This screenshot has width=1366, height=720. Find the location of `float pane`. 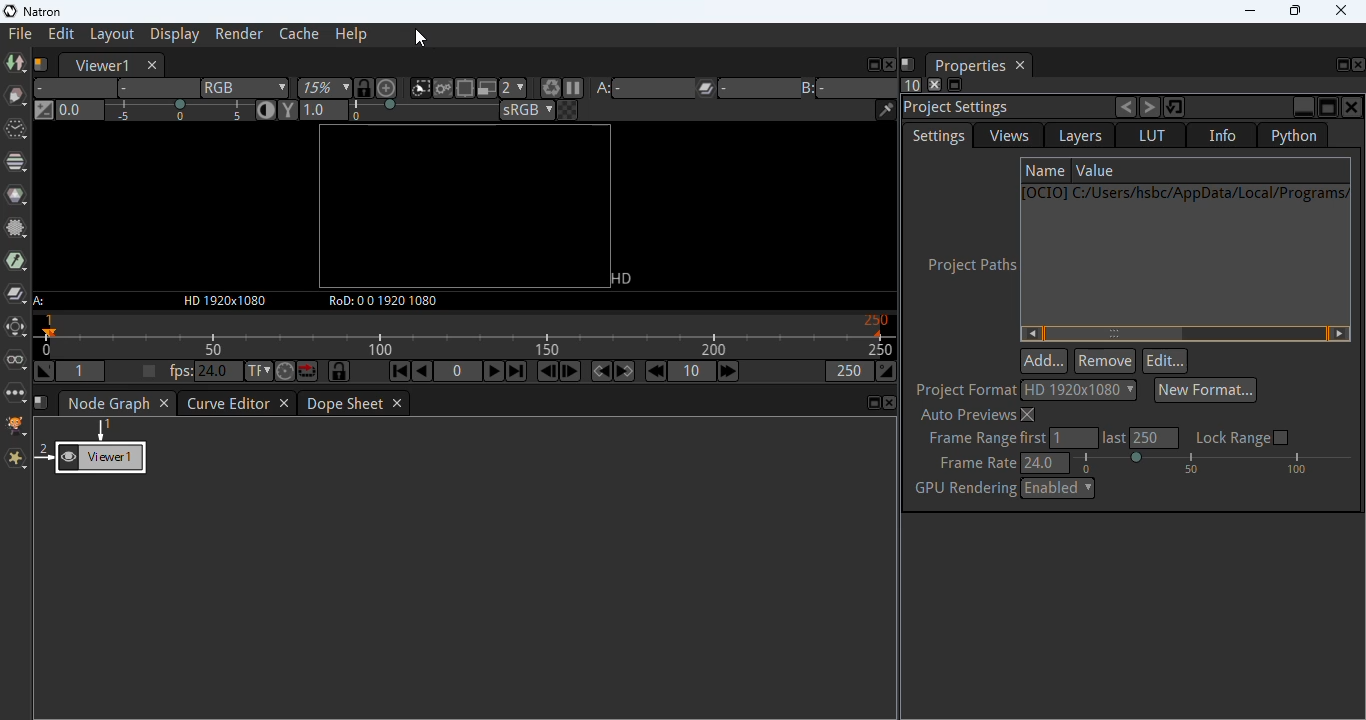

float pane is located at coordinates (1341, 65).